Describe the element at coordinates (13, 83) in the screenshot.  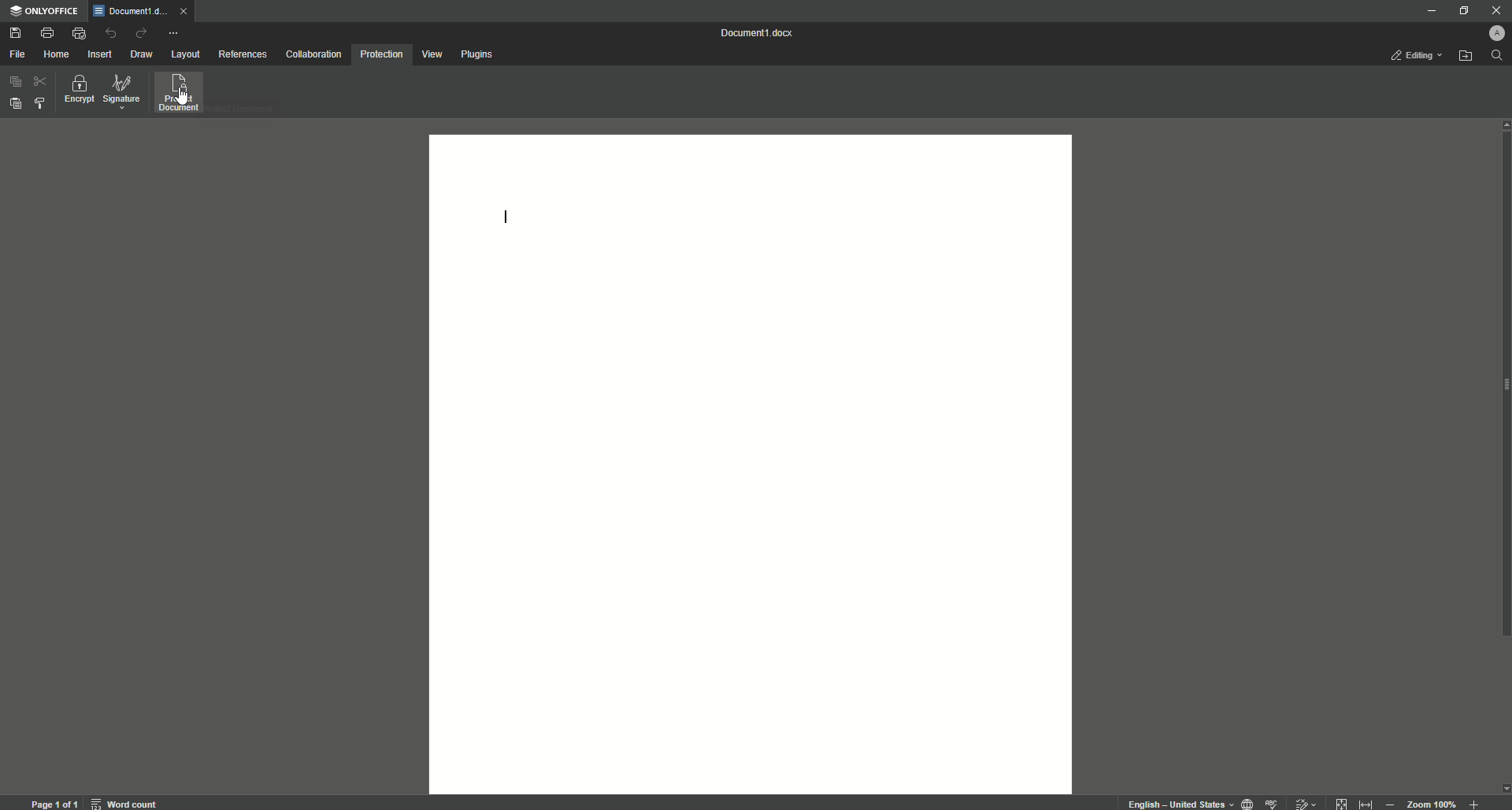
I see `Copy` at that location.